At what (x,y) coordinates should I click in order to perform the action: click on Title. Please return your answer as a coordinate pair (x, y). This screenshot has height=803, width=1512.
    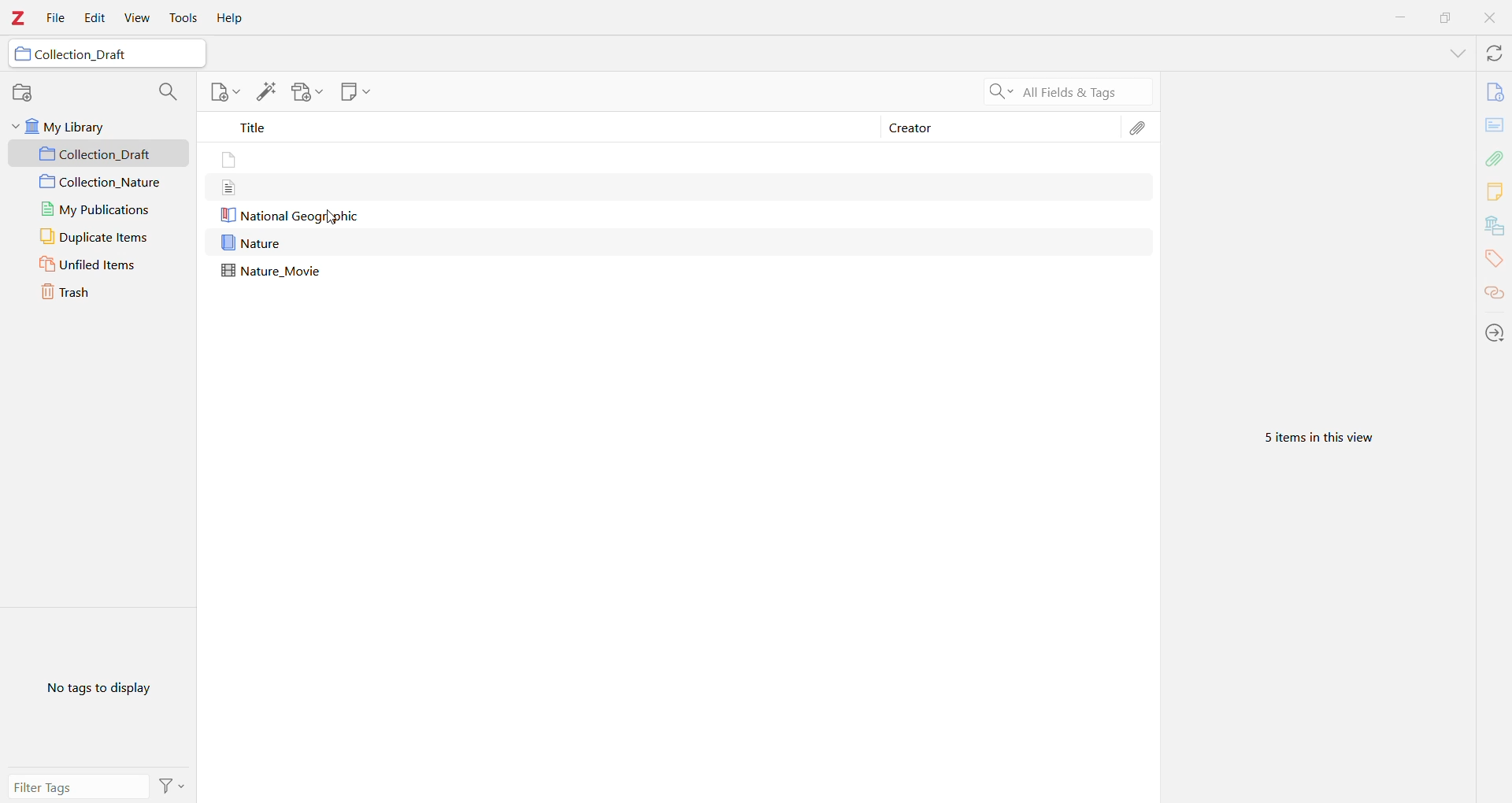
    Looking at the image, I should click on (543, 130).